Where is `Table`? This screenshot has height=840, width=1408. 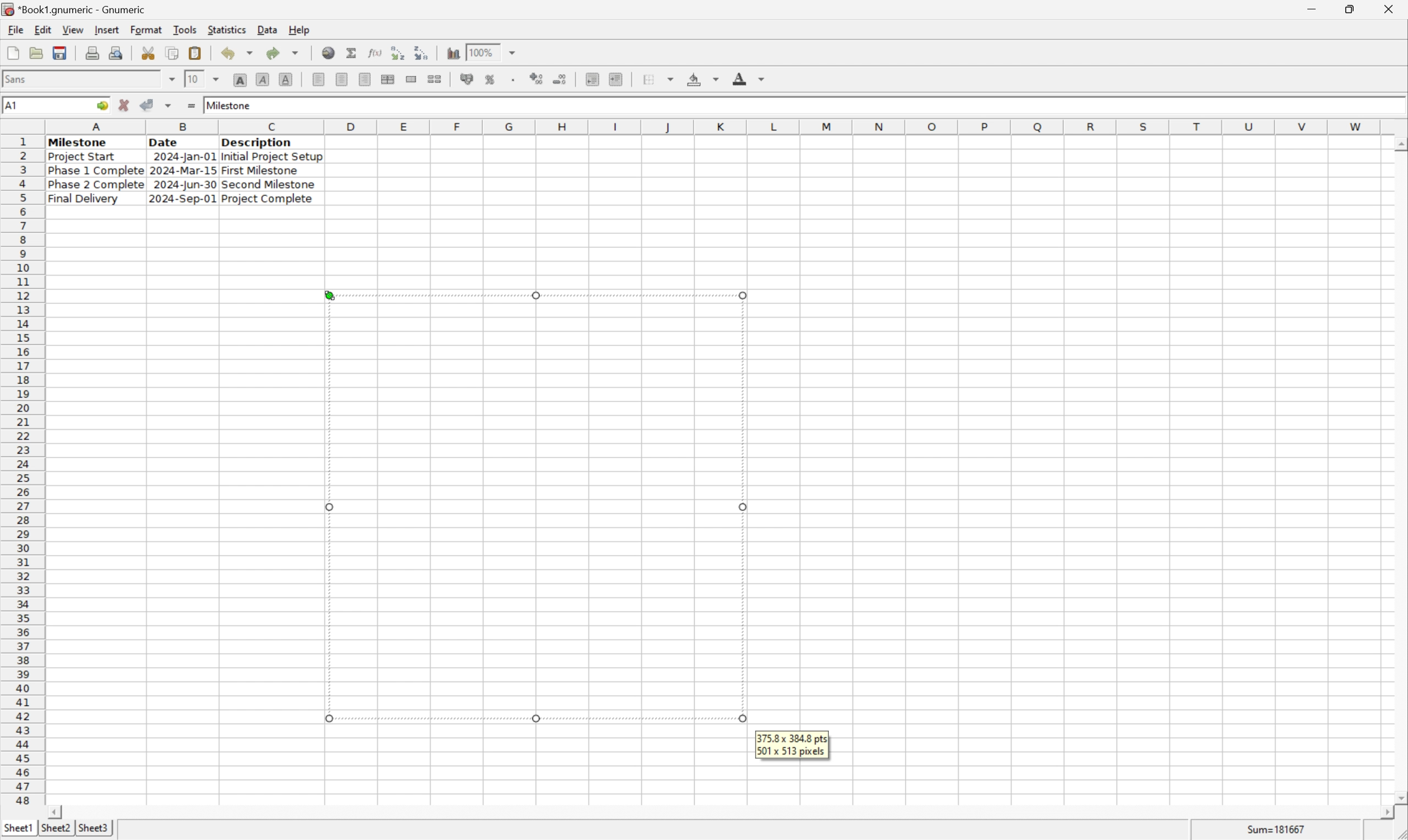
Table is located at coordinates (183, 170).